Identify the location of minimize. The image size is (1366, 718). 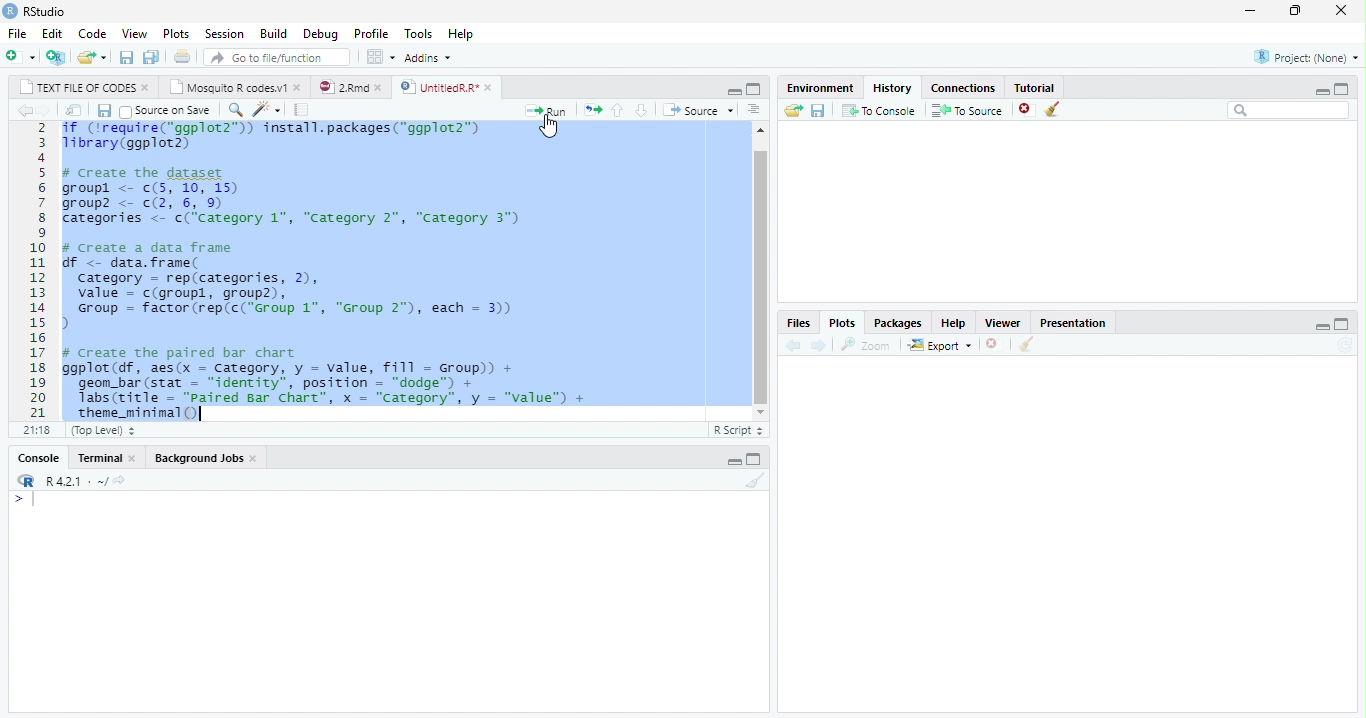
(734, 462).